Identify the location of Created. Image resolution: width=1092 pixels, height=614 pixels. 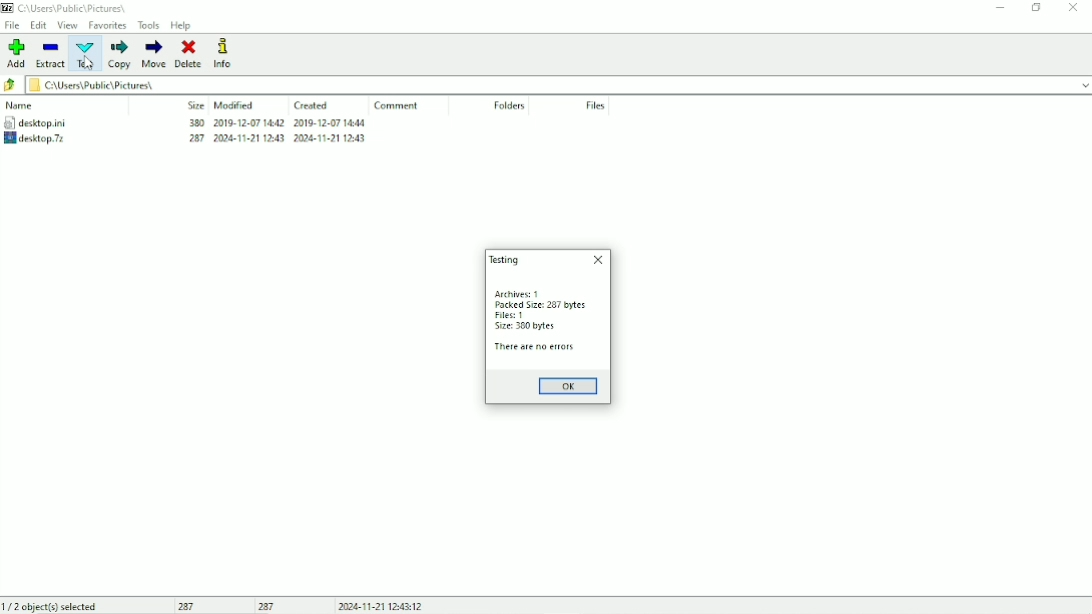
(311, 105).